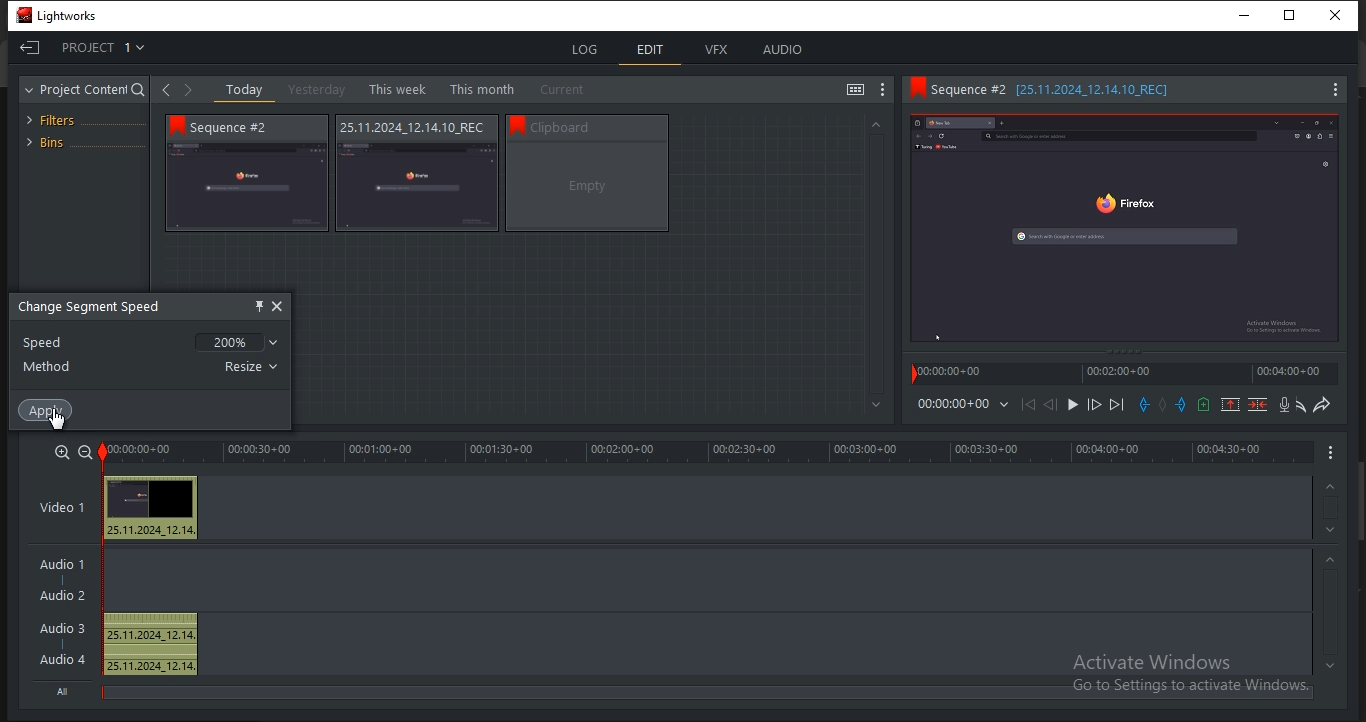 This screenshot has height=722, width=1366. I want to click on timeline navigation up arrow, so click(1330, 486).